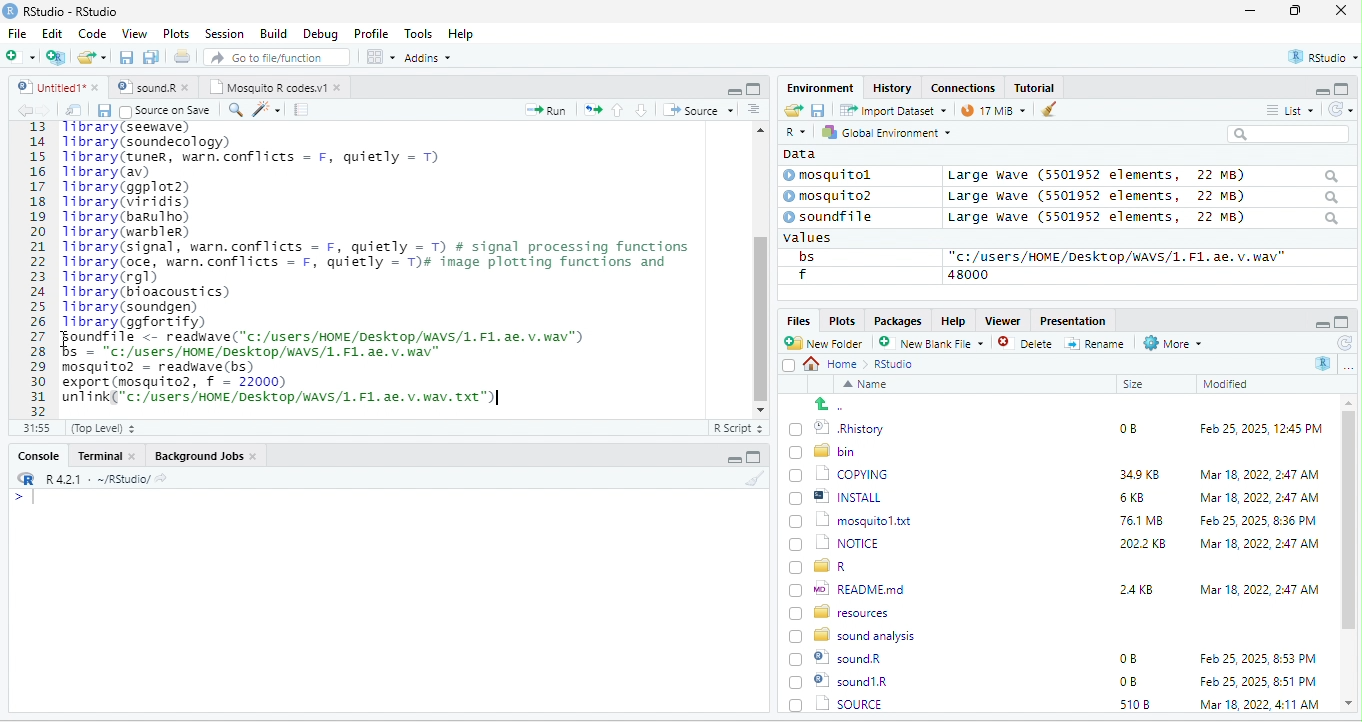  I want to click on minimize, so click(1320, 323).